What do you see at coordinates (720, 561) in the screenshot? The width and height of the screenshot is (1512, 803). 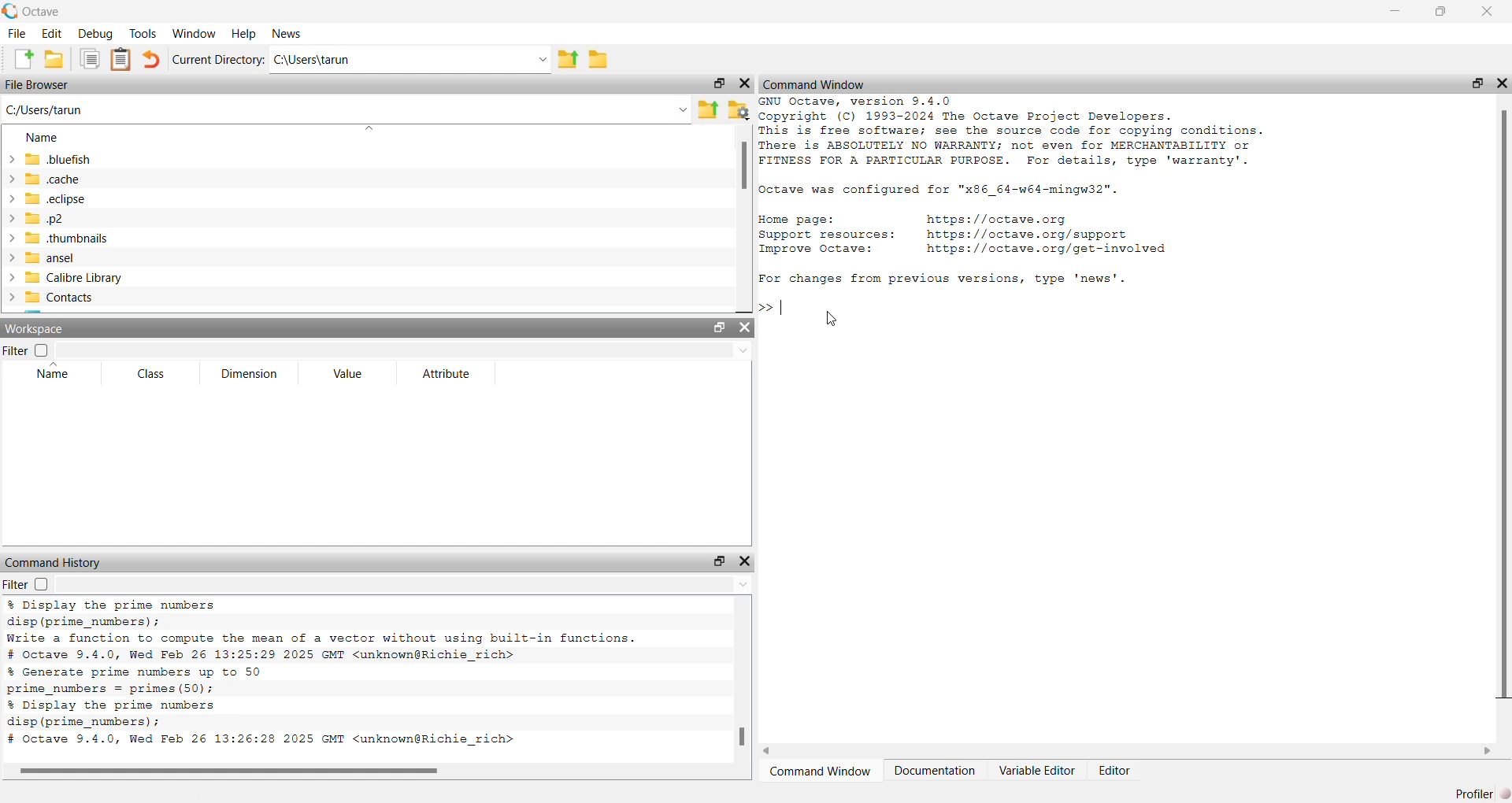 I see `open in separate window` at bounding box center [720, 561].